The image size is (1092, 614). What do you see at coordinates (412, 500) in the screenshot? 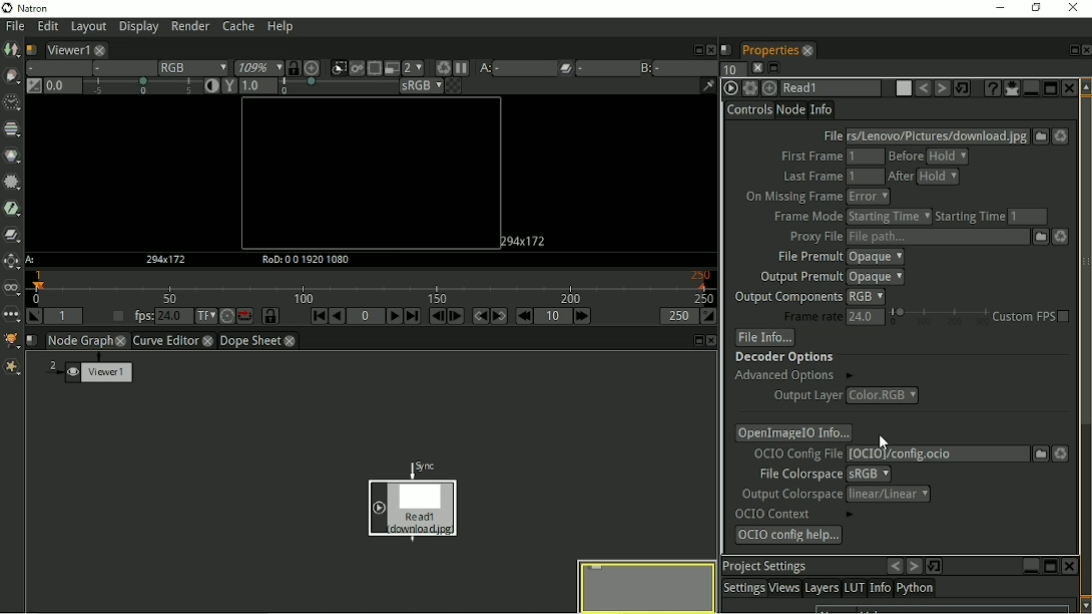
I see `Image node` at bounding box center [412, 500].